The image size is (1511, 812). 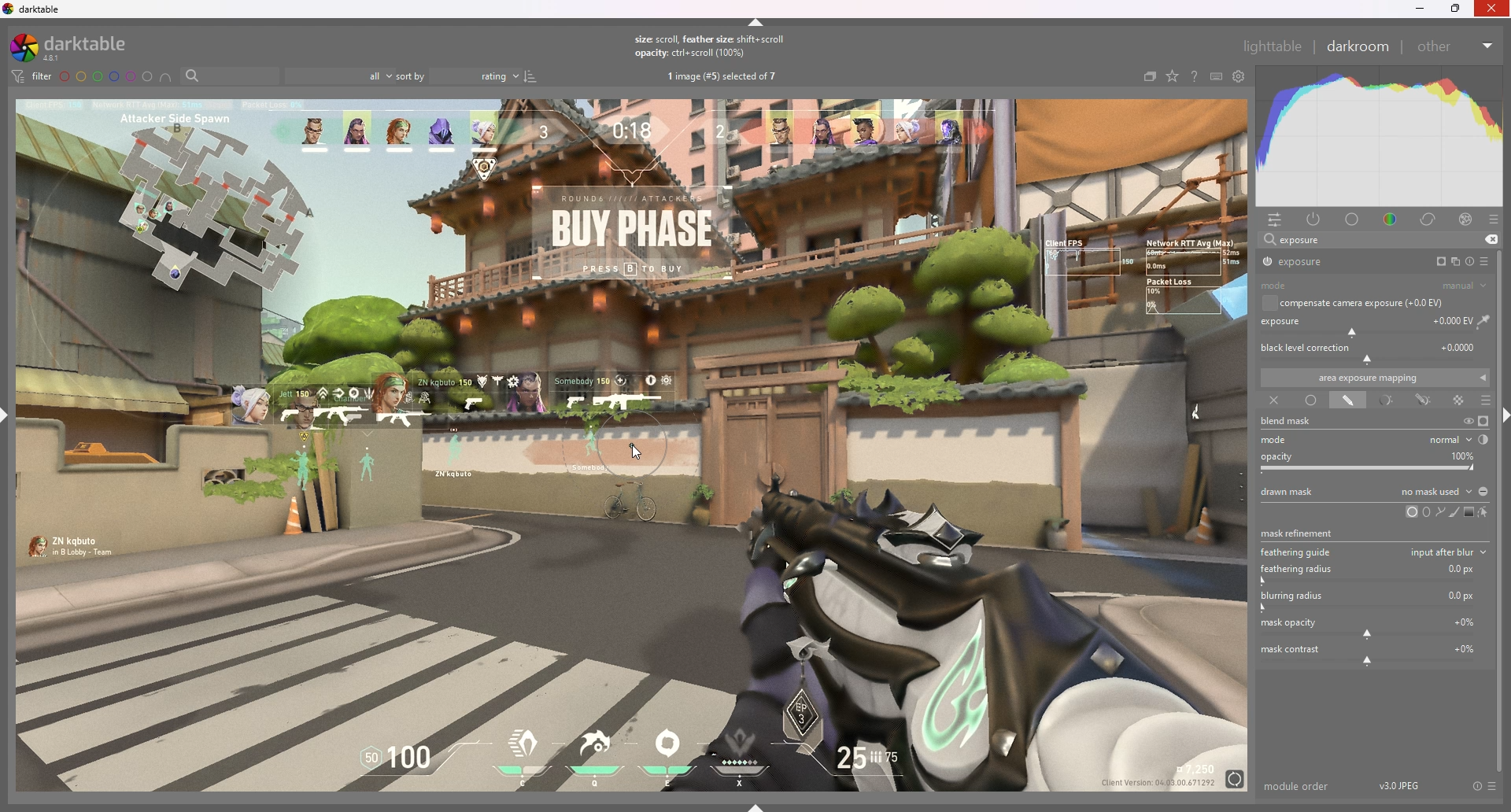 I want to click on exposure, so click(x=1376, y=324).